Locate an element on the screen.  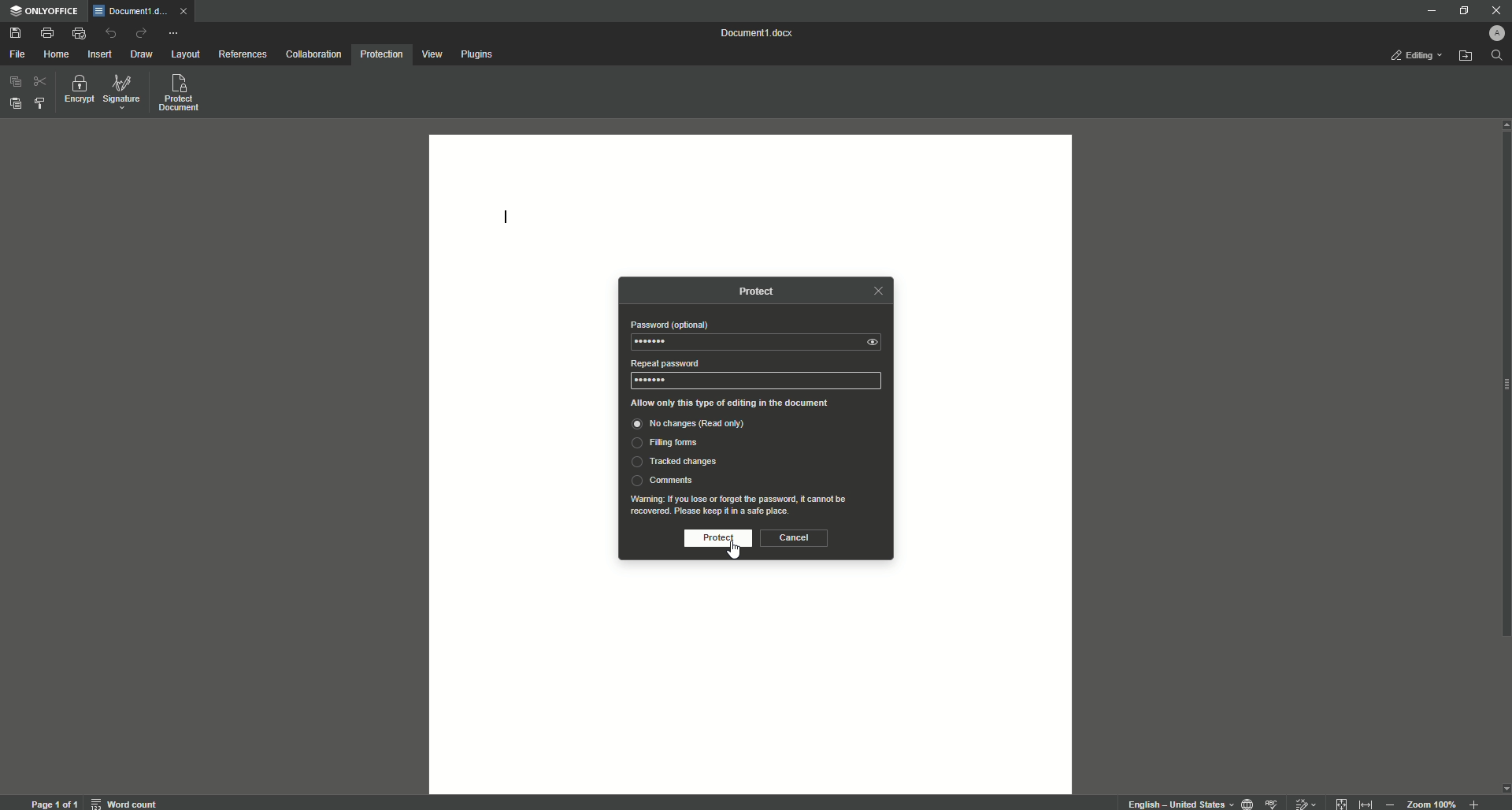
word count is located at coordinates (128, 801).